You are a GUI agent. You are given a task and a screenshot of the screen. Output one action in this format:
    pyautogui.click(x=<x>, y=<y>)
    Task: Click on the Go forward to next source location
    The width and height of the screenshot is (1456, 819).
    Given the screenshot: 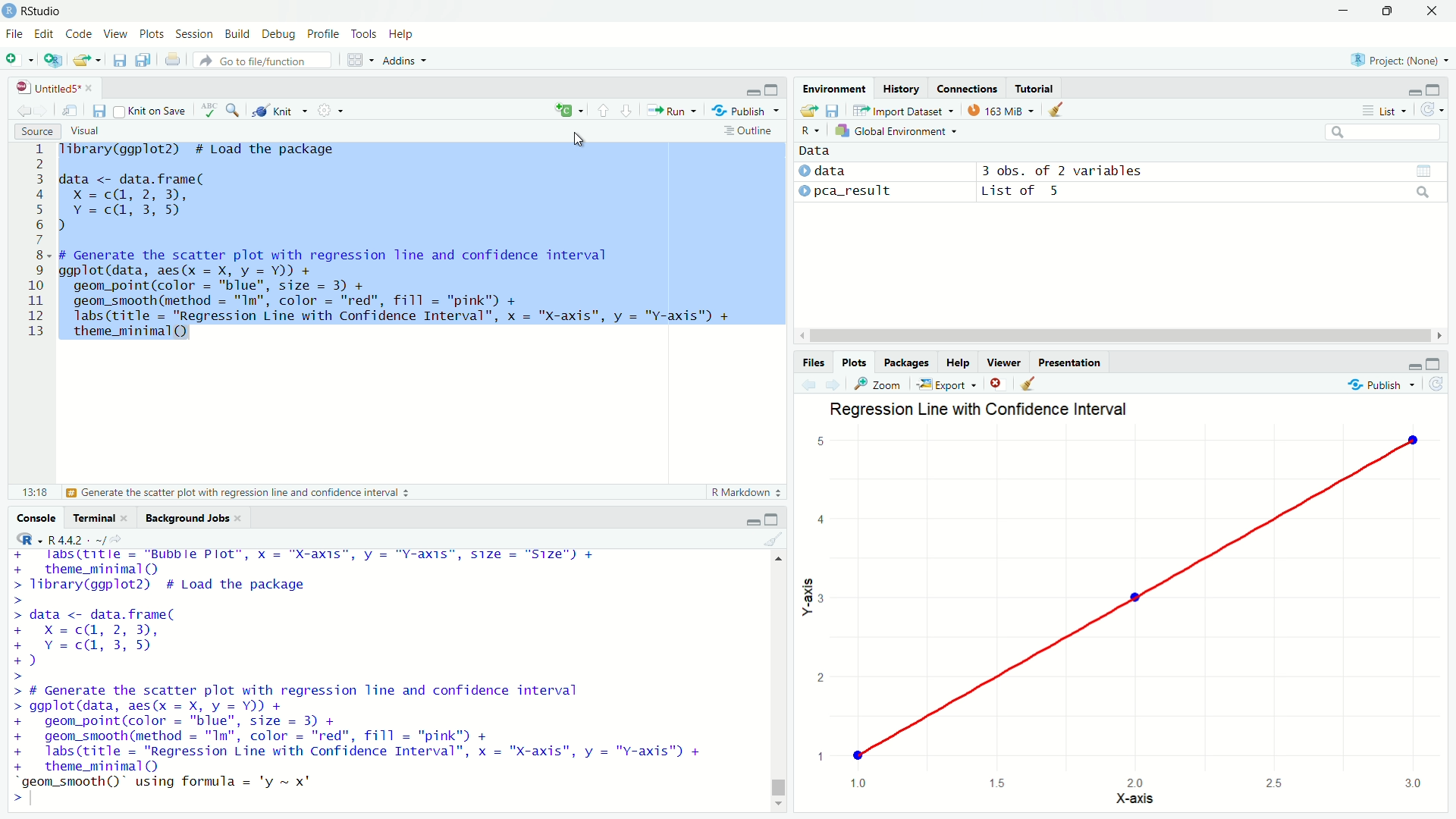 What is the action you would take?
    pyautogui.click(x=42, y=111)
    